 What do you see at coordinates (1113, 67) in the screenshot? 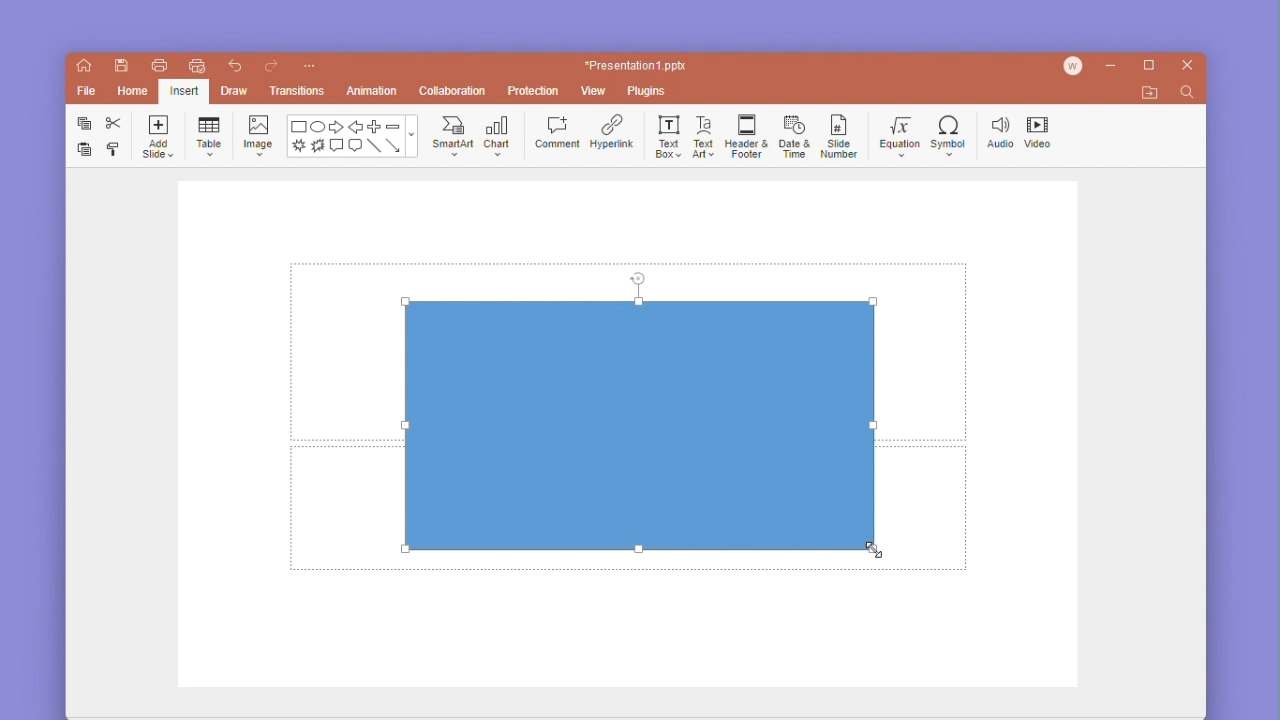
I see `minimize` at bounding box center [1113, 67].